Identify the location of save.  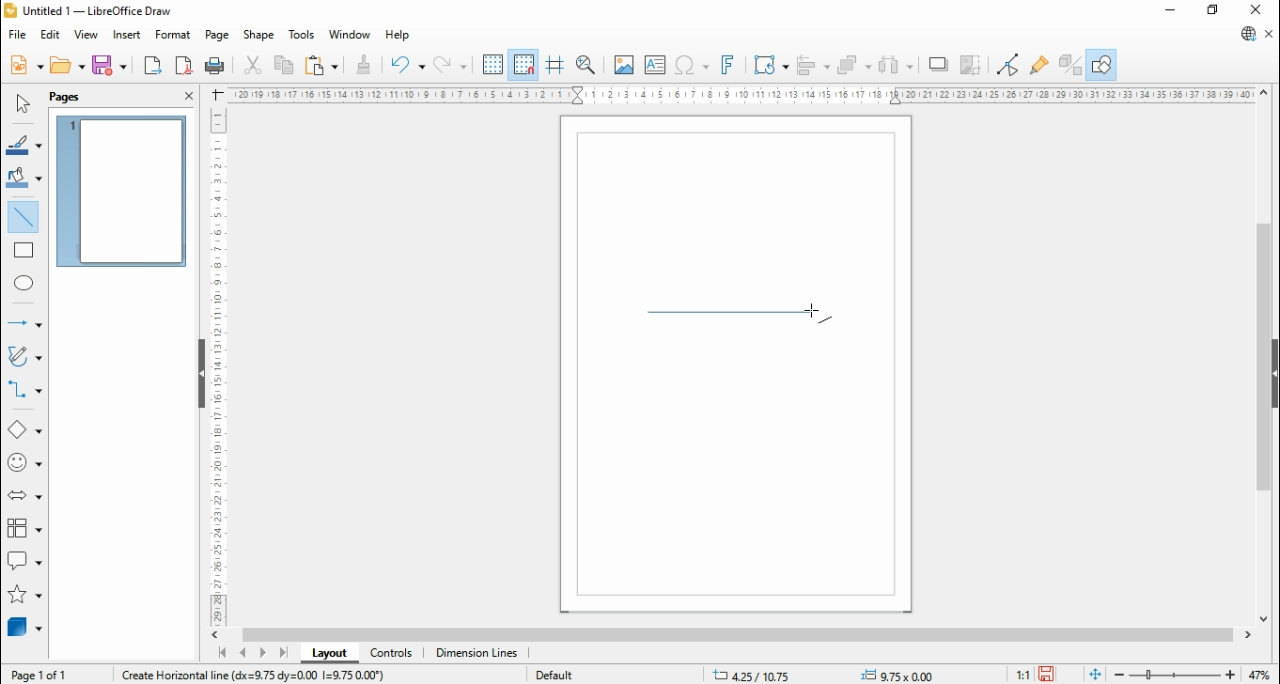
(1047, 674).